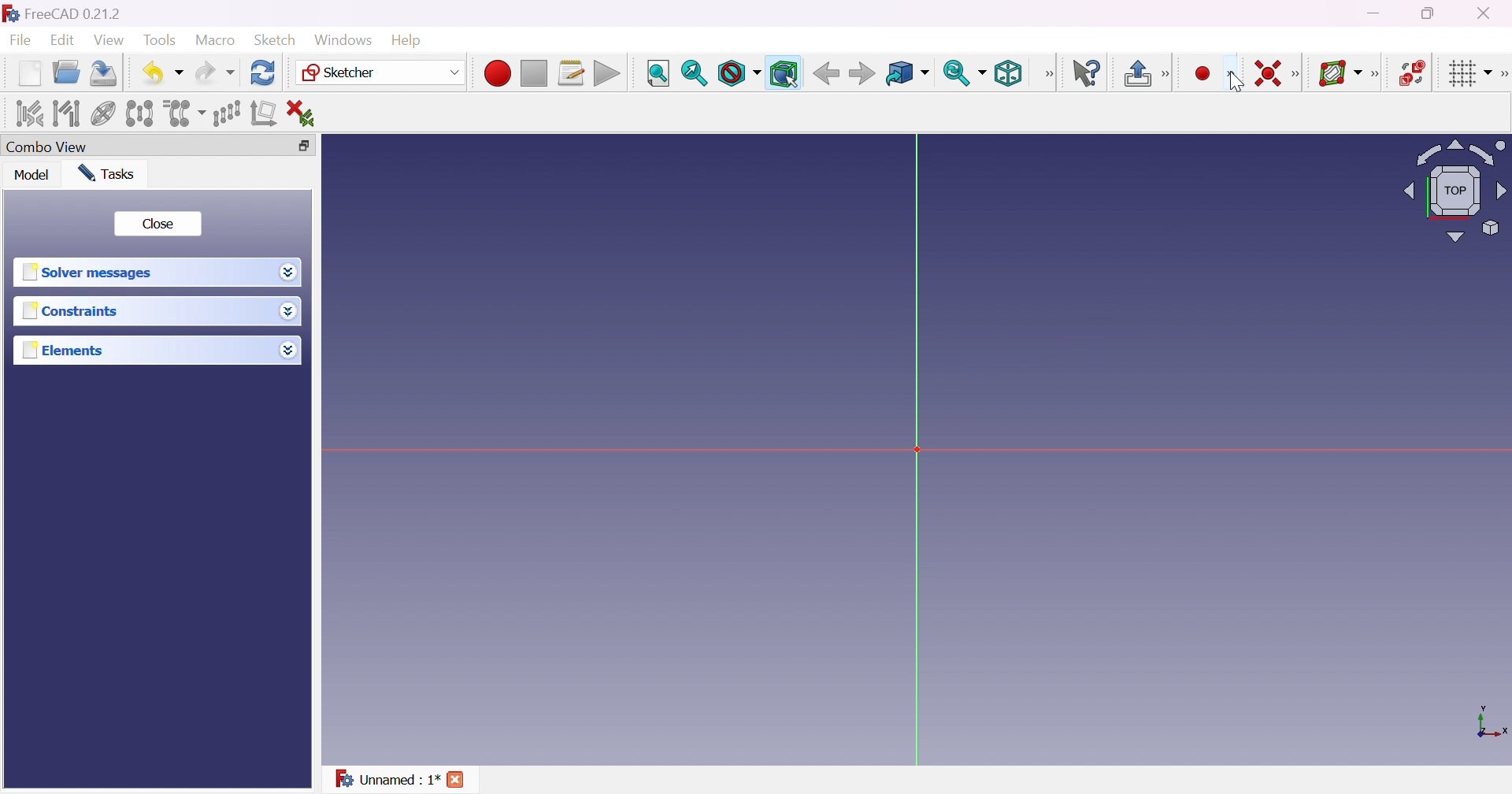 This screenshot has height=794, width=1512. I want to click on Execute macro, so click(608, 74).